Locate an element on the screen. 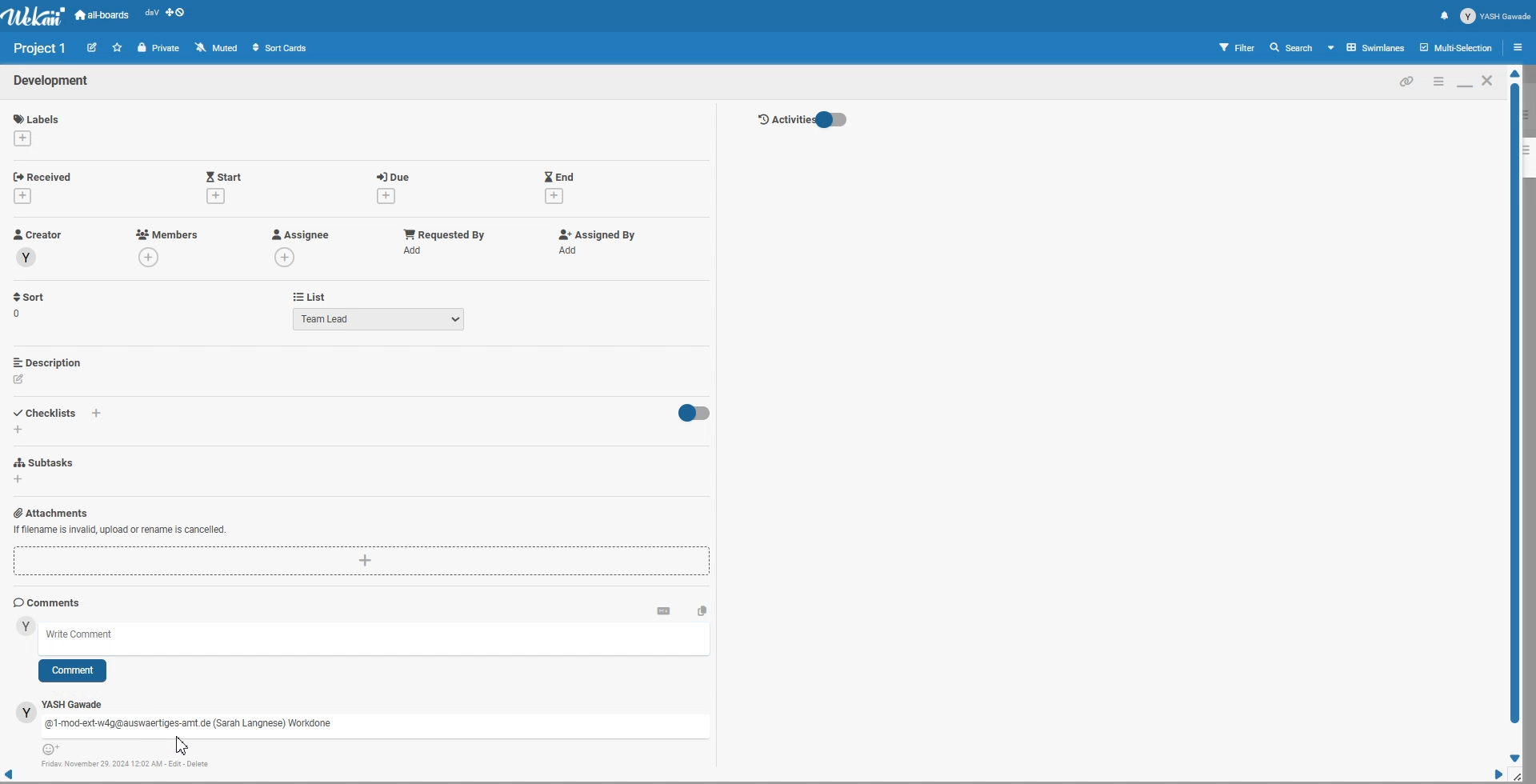  Add Members is located at coordinates (168, 234).